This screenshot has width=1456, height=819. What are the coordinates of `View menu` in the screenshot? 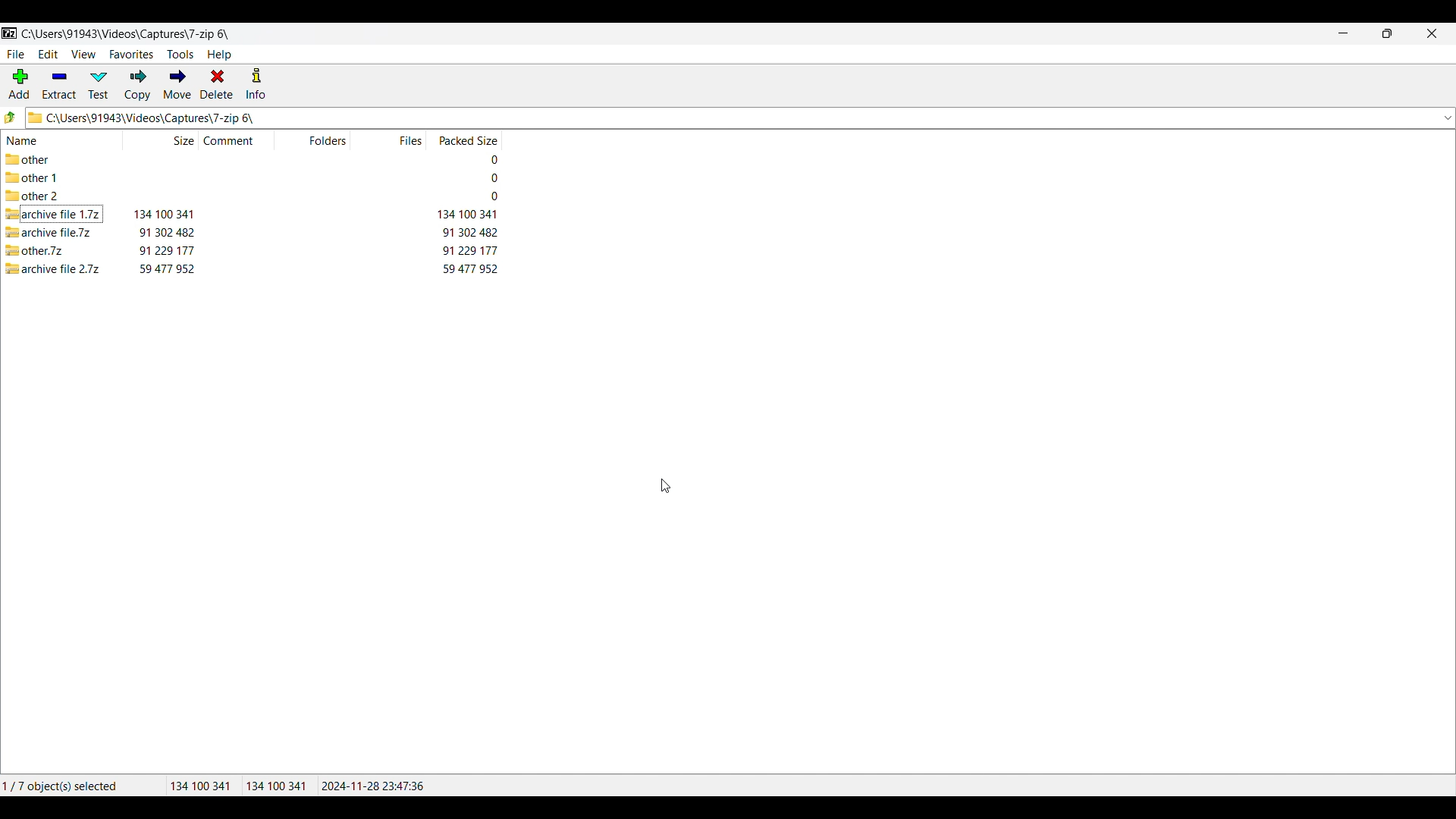 It's located at (84, 55).